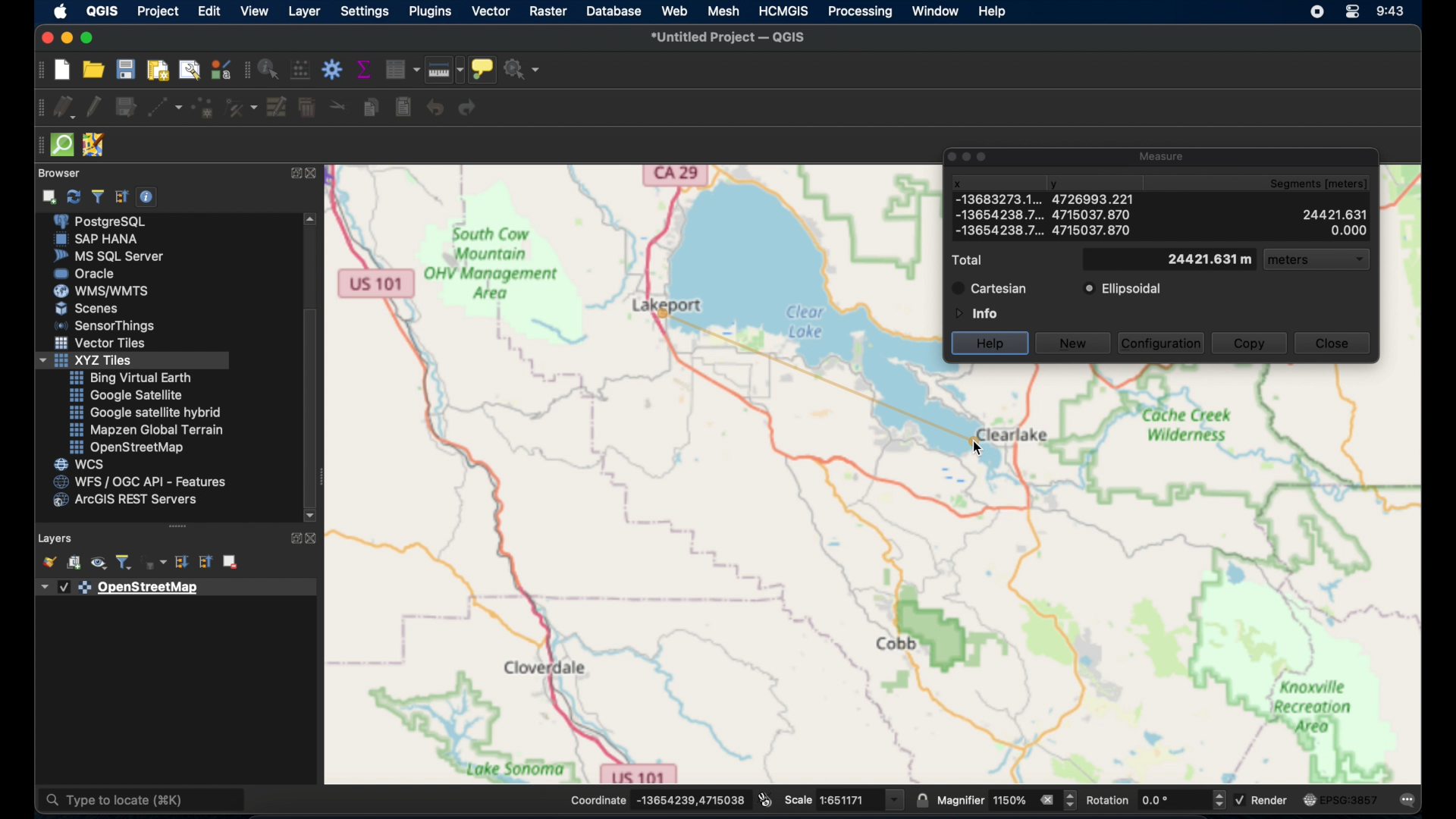 This screenshot has width=1456, height=819. I want to click on save layer e dits, so click(124, 109).